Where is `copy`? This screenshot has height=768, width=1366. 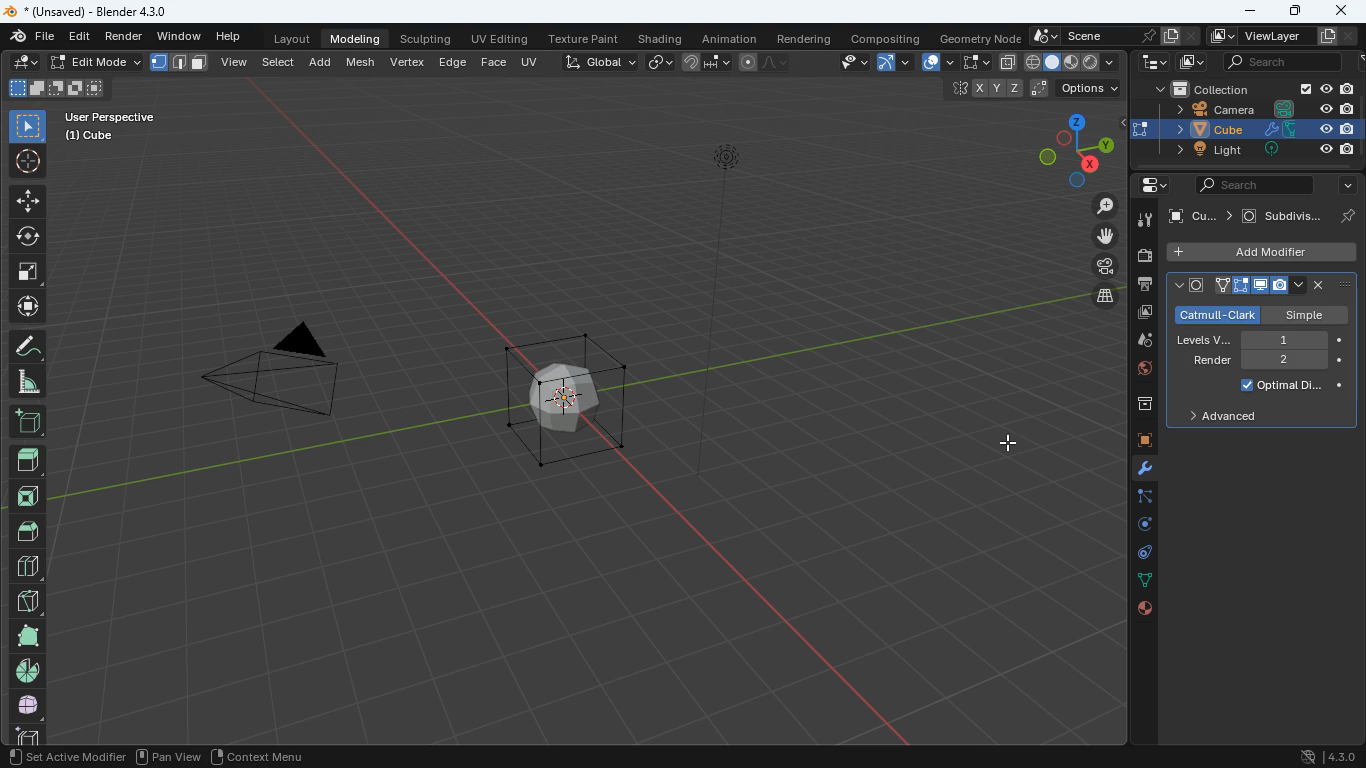
copy is located at coordinates (1008, 62).